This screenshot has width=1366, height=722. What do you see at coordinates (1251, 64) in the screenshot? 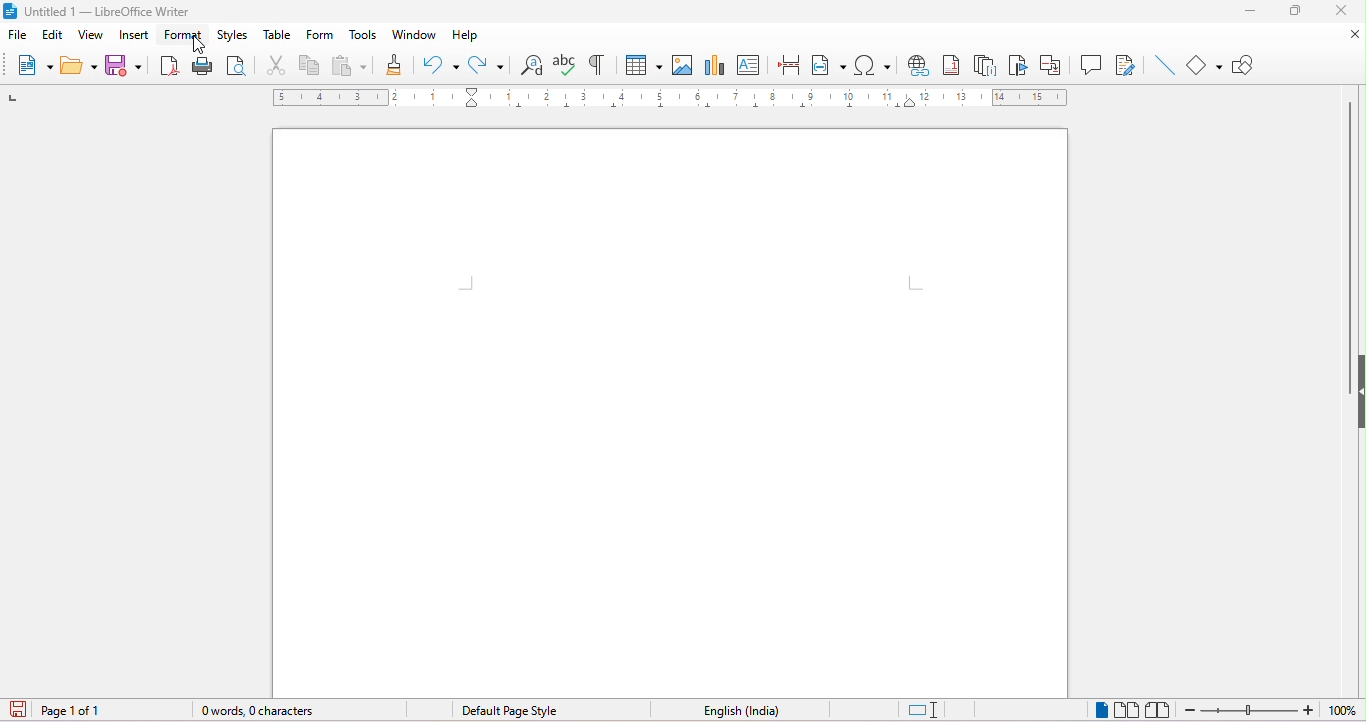
I see `show draw functions` at bounding box center [1251, 64].